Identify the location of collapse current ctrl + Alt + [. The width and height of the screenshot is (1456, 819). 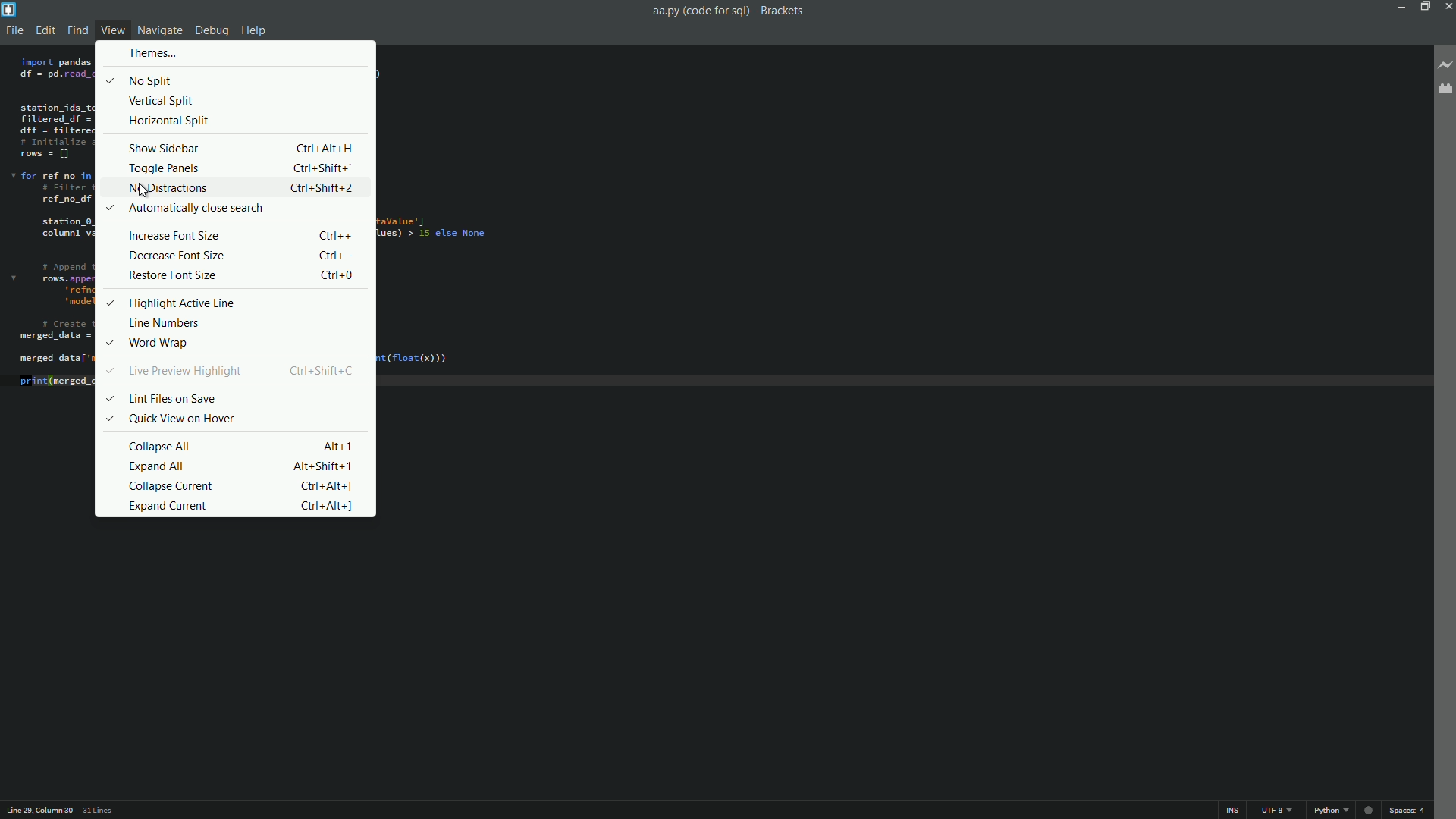
(241, 486).